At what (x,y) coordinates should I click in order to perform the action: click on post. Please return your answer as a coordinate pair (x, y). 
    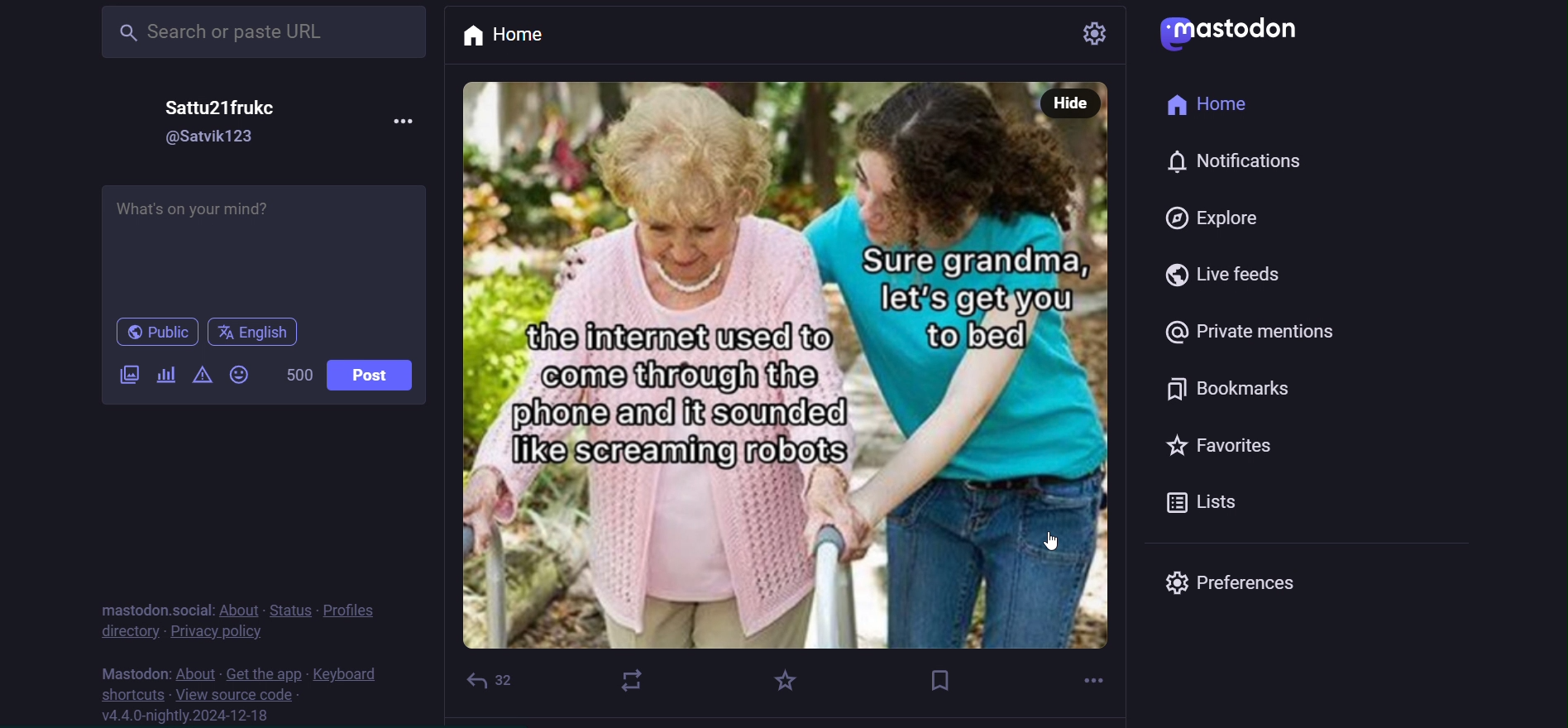
    Looking at the image, I should click on (373, 375).